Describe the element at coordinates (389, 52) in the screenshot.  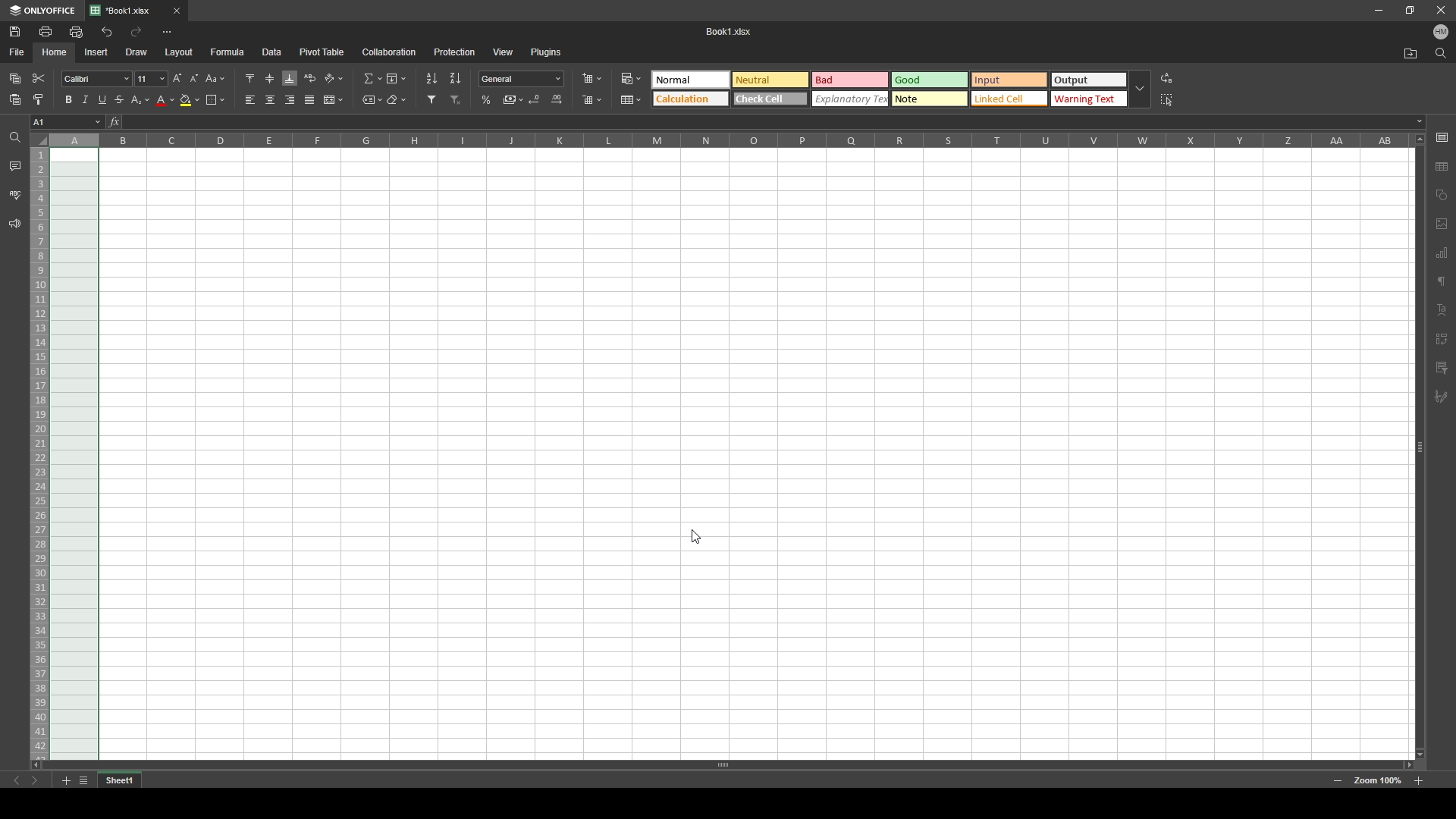
I see `collaboration` at that location.